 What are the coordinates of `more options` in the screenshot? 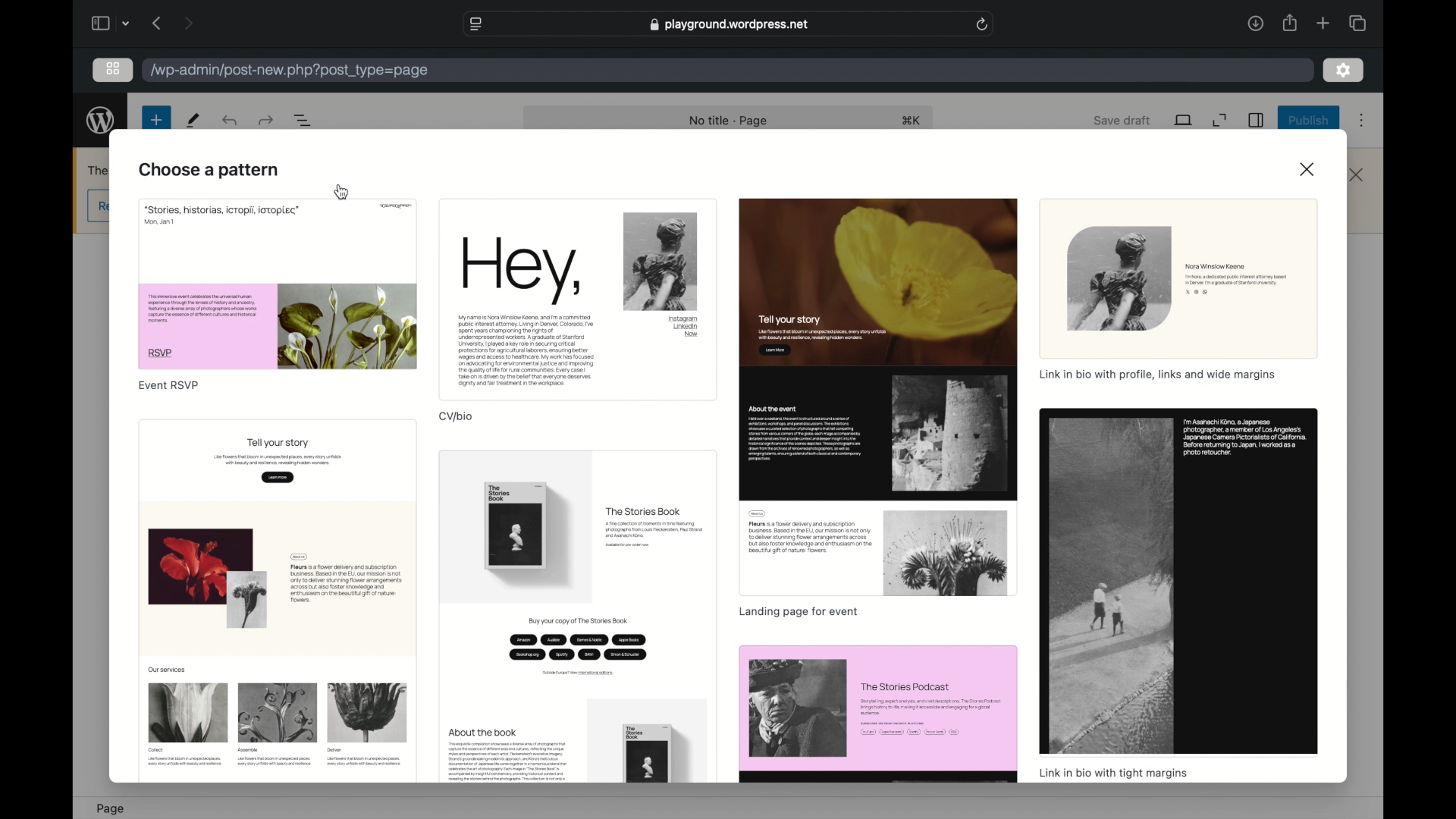 It's located at (1362, 121).